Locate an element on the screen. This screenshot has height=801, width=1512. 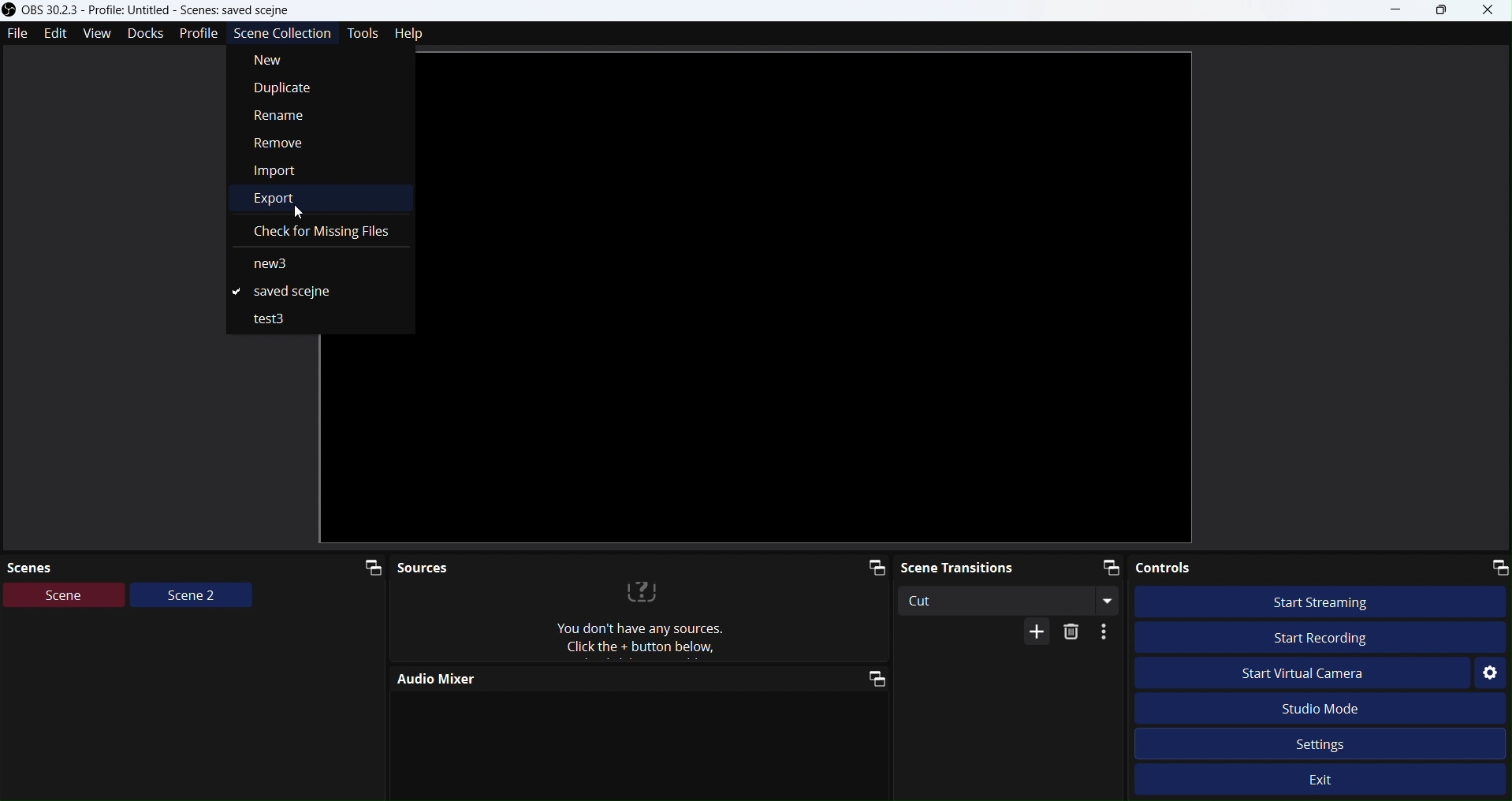
Exit is located at coordinates (1325, 782).